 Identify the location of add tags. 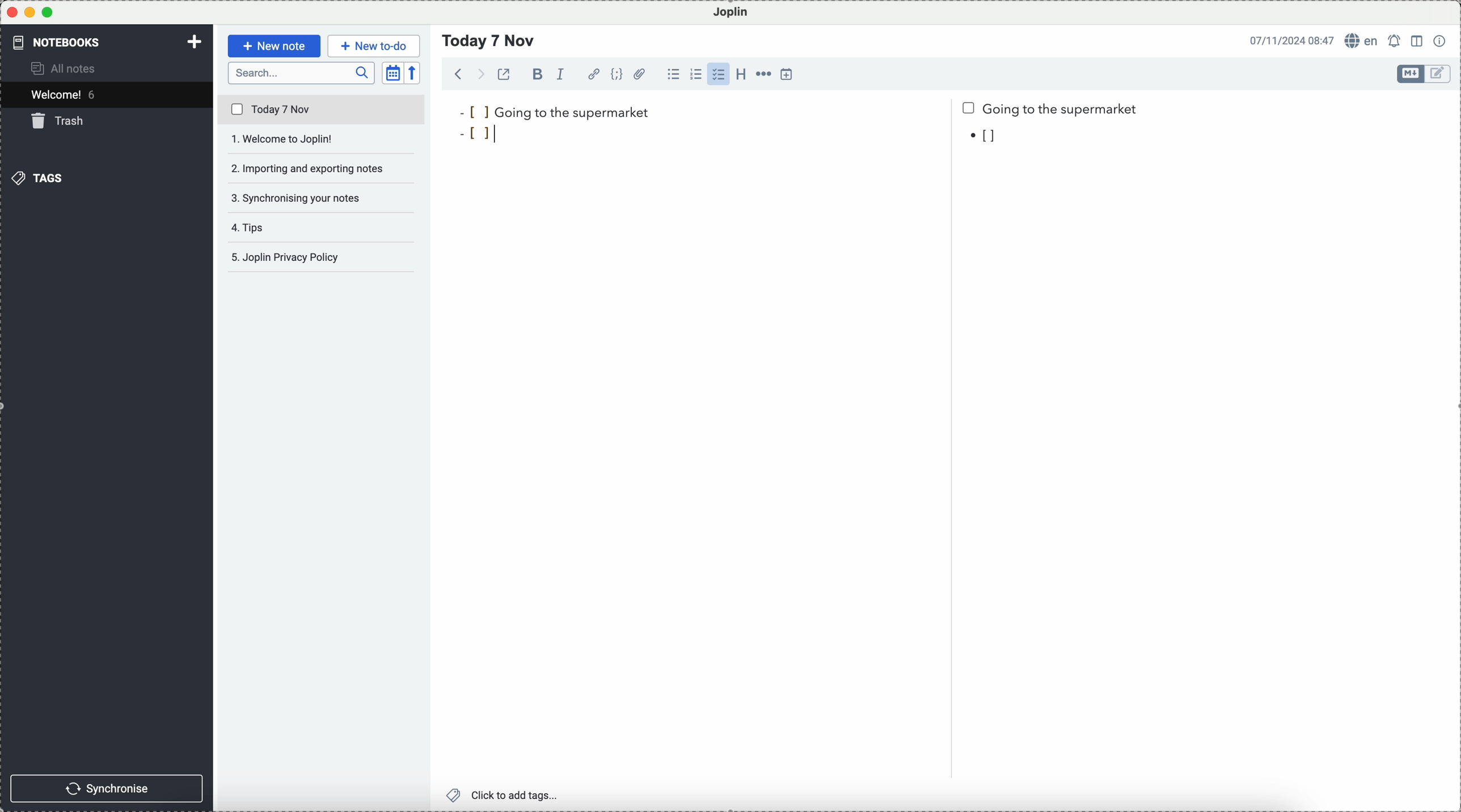
(504, 796).